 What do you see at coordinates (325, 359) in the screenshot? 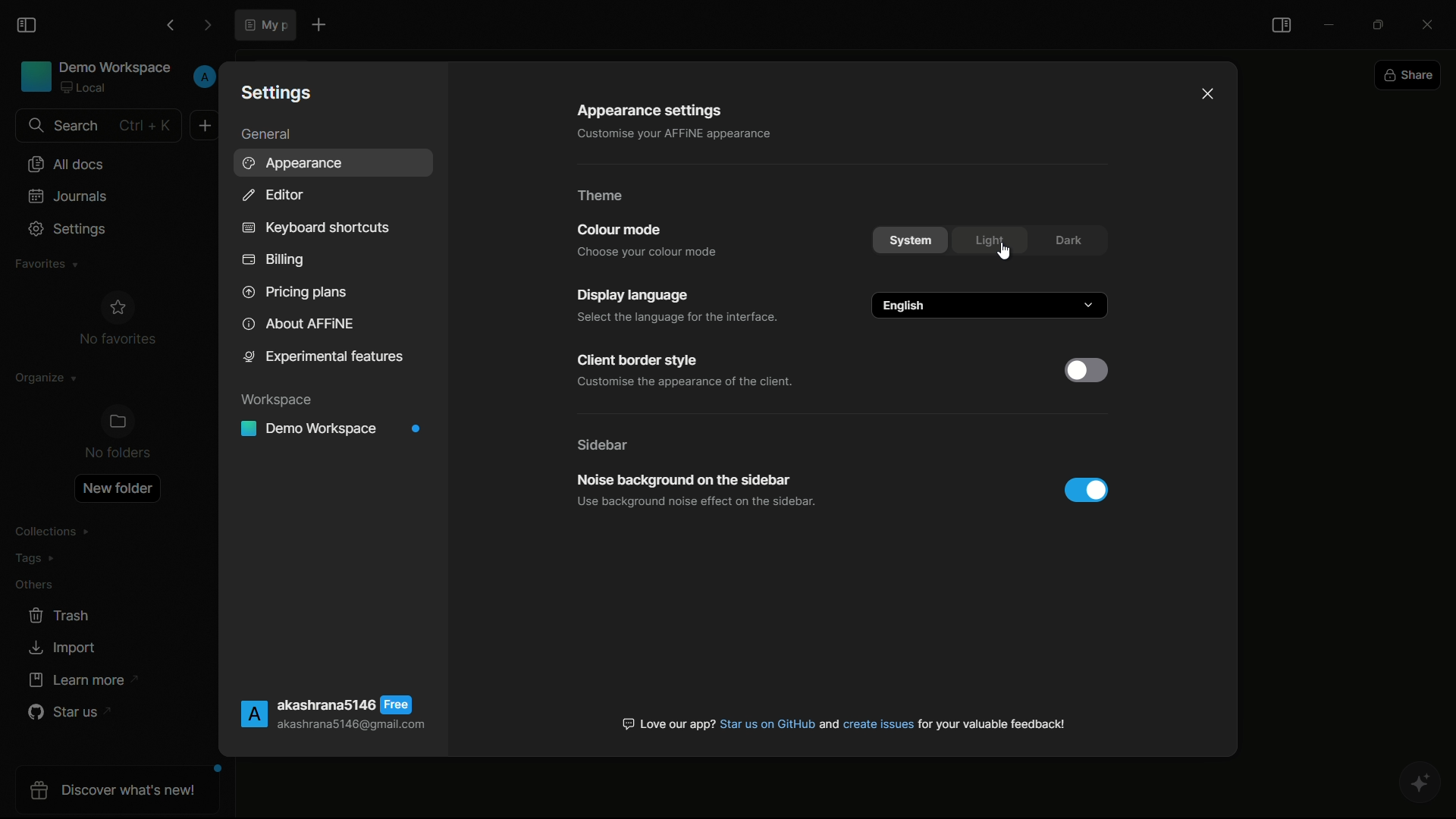
I see `experimental features` at bounding box center [325, 359].